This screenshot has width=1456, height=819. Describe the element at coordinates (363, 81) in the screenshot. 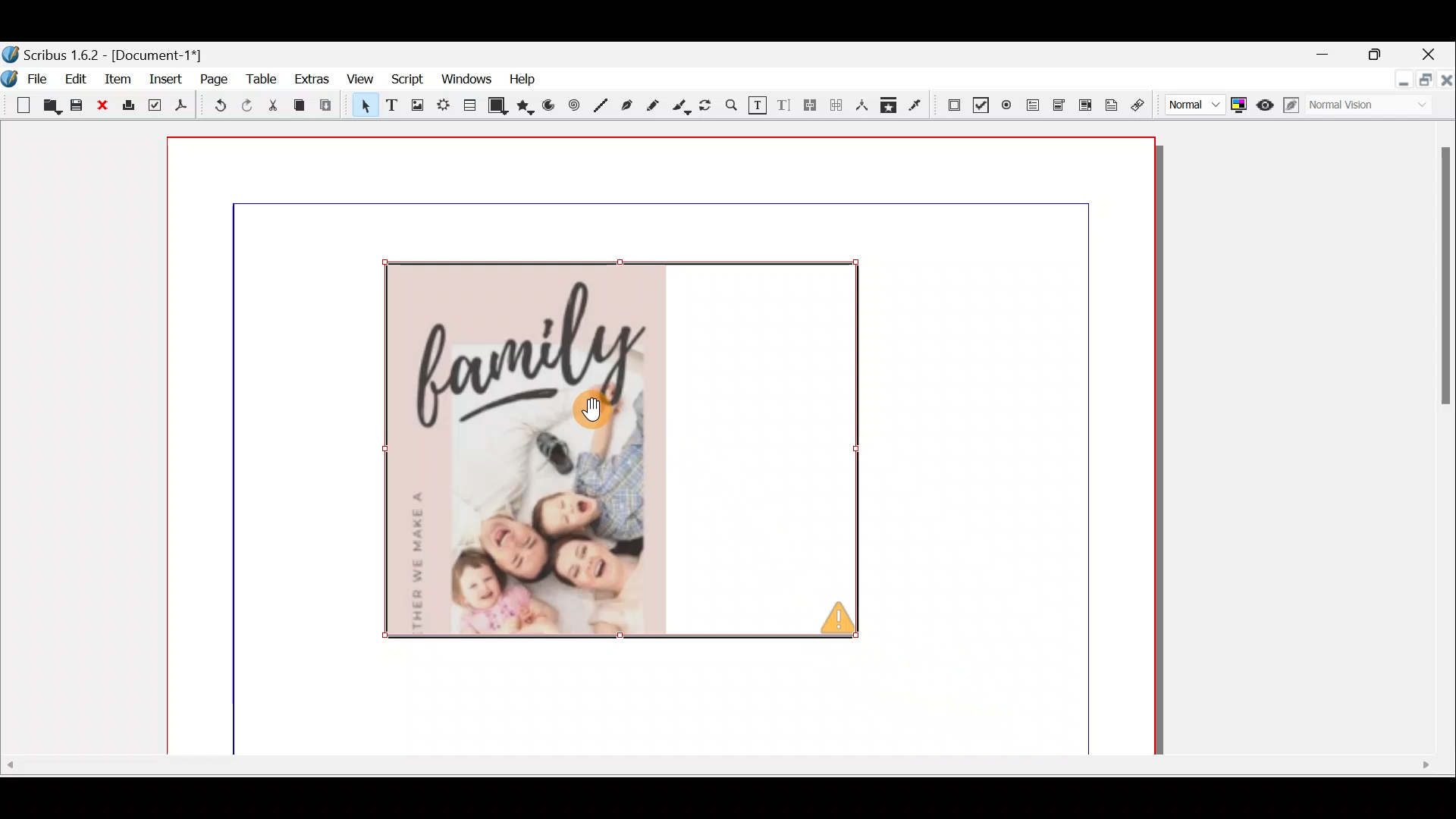

I see `View` at that location.